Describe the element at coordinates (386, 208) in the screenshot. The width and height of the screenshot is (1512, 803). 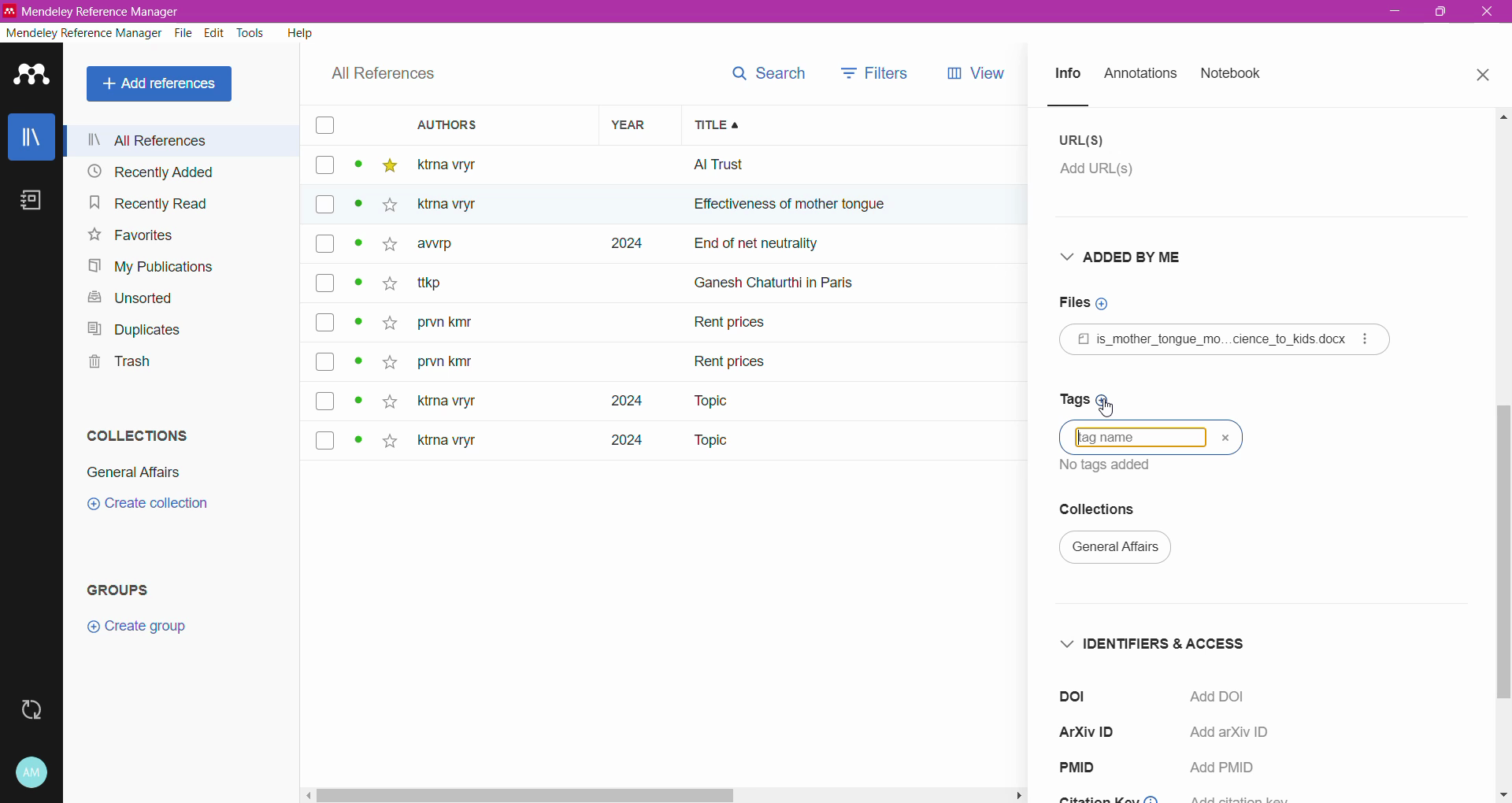
I see `star` at that location.